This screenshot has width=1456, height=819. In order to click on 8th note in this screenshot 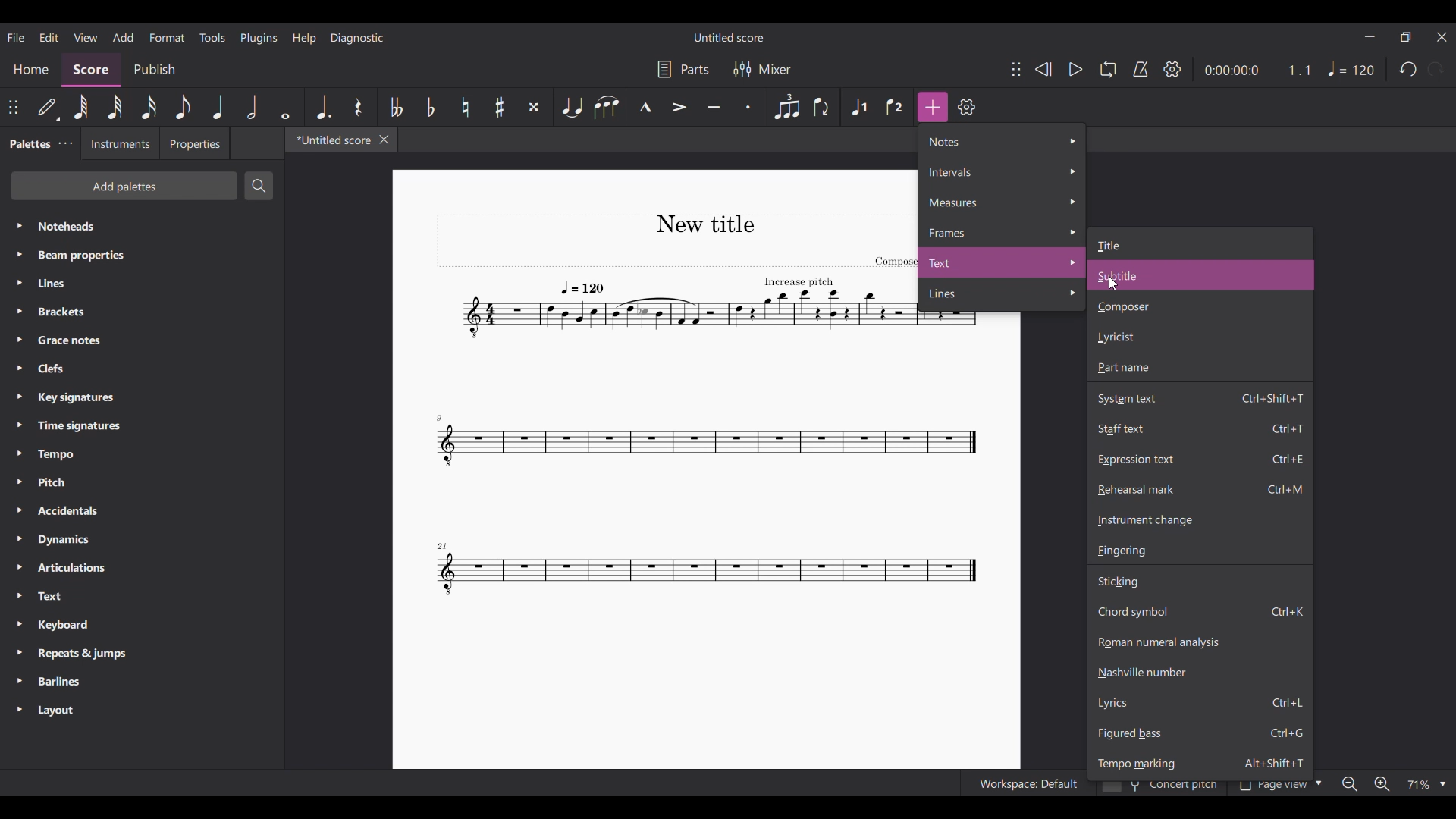, I will do `click(184, 107)`.